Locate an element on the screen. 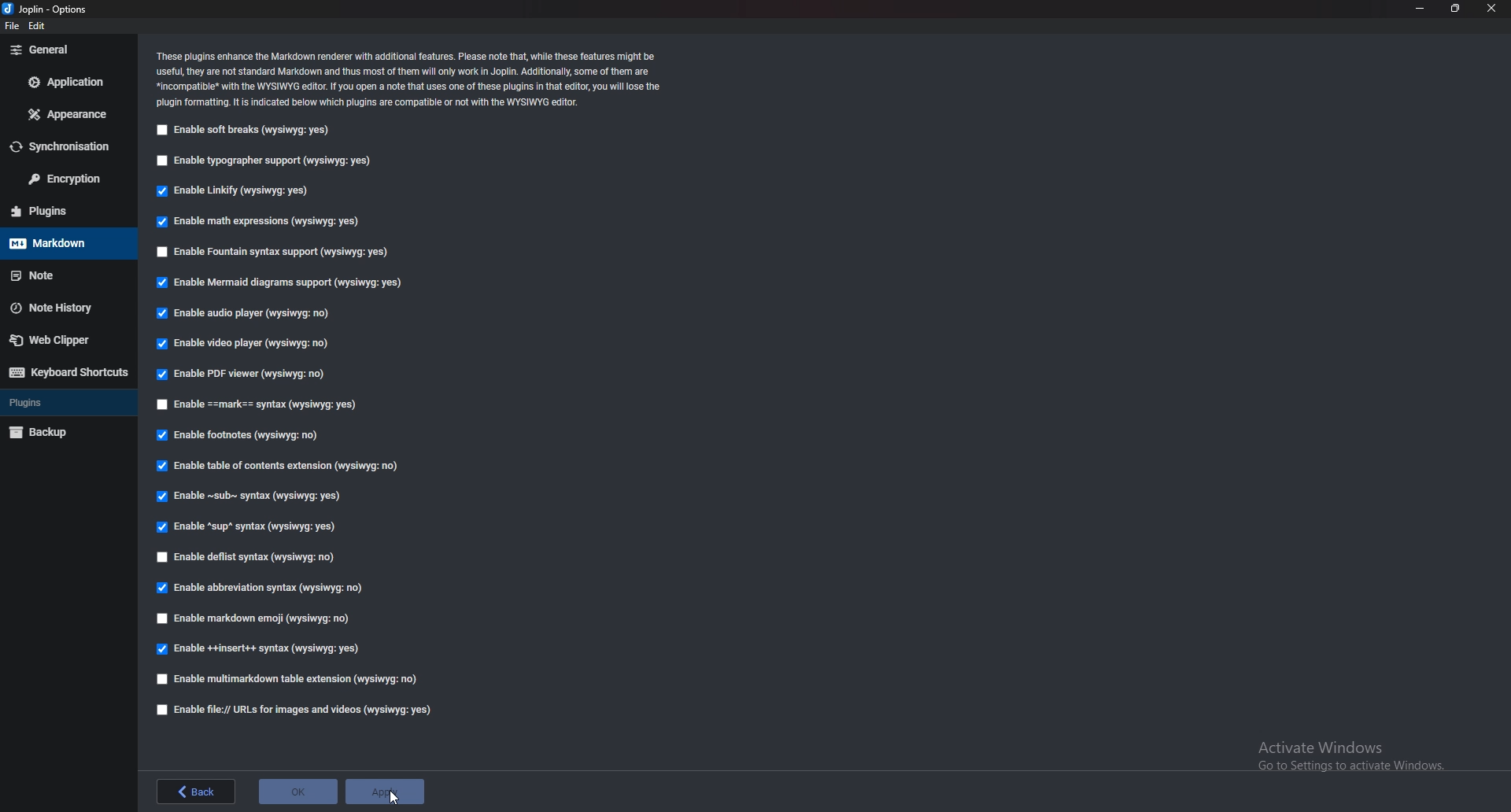 The width and height of the screenshot is (1511, 812). ok is located at coordinates (299, 792).